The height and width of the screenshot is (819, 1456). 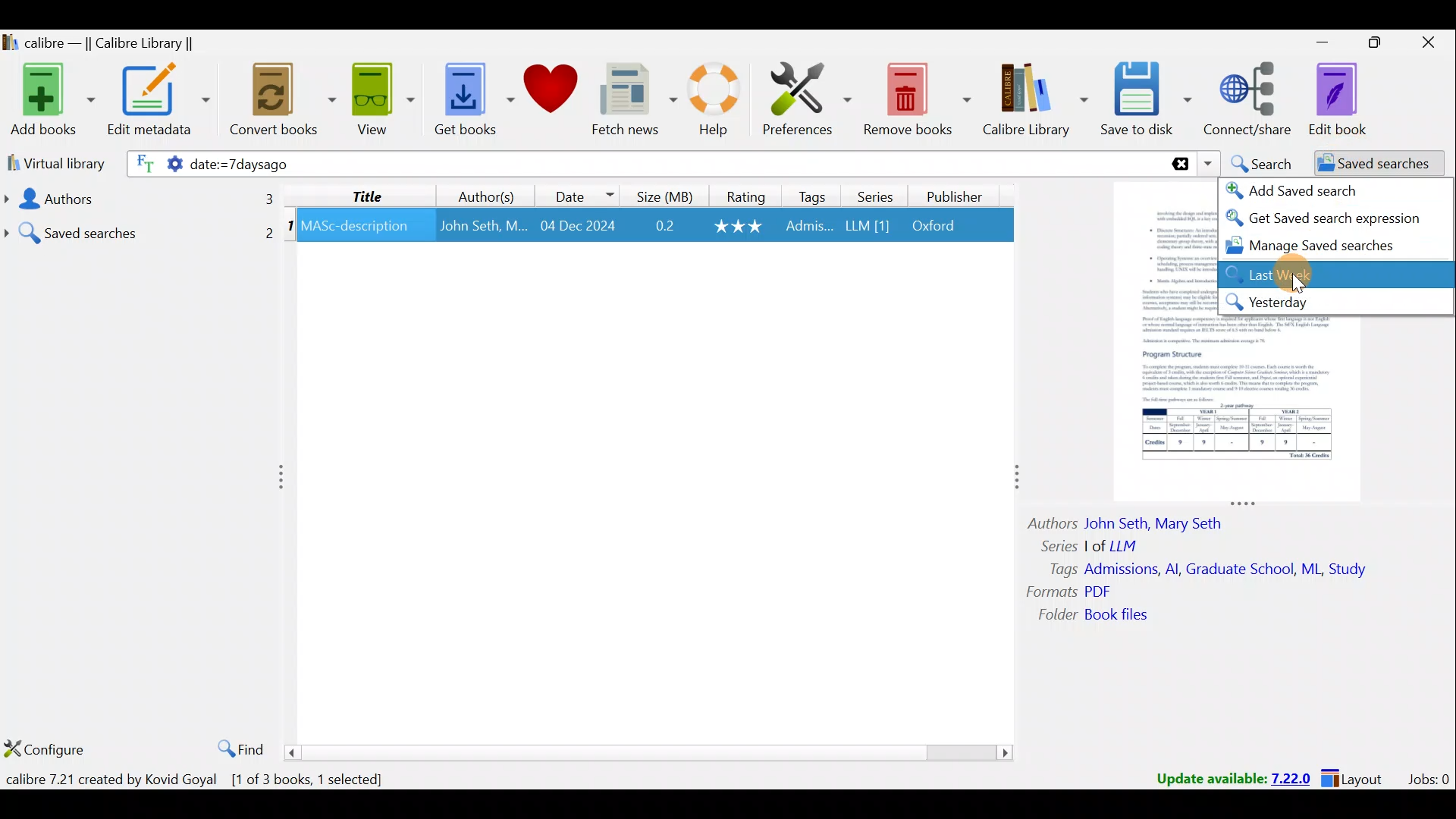 What do you see at coordinates (1306, 275) in the screenshot?
I see `Cursor` at bounding box center [1306, 275].